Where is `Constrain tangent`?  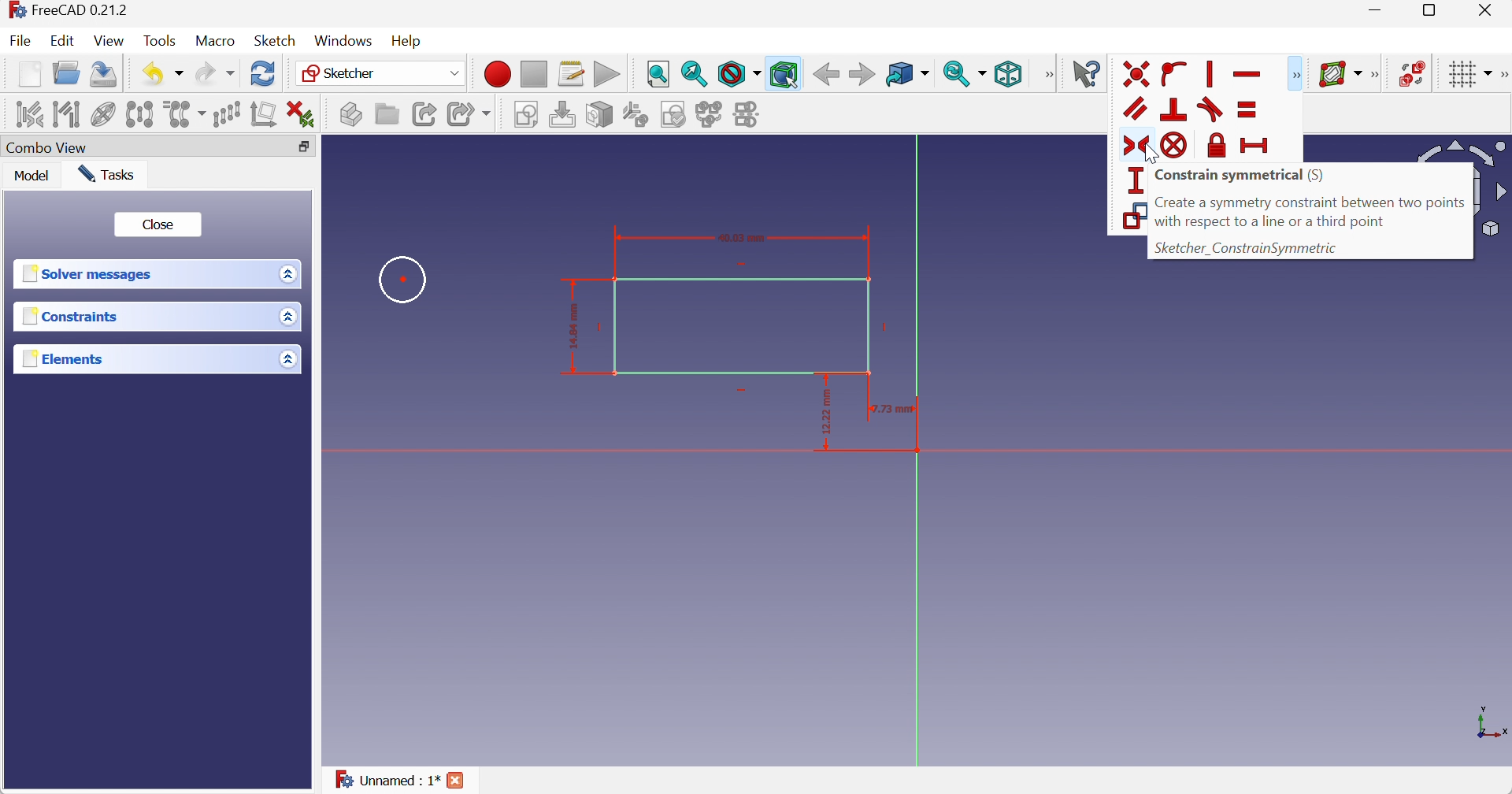
Constrain tangent is located at coordinates (1210, 109).